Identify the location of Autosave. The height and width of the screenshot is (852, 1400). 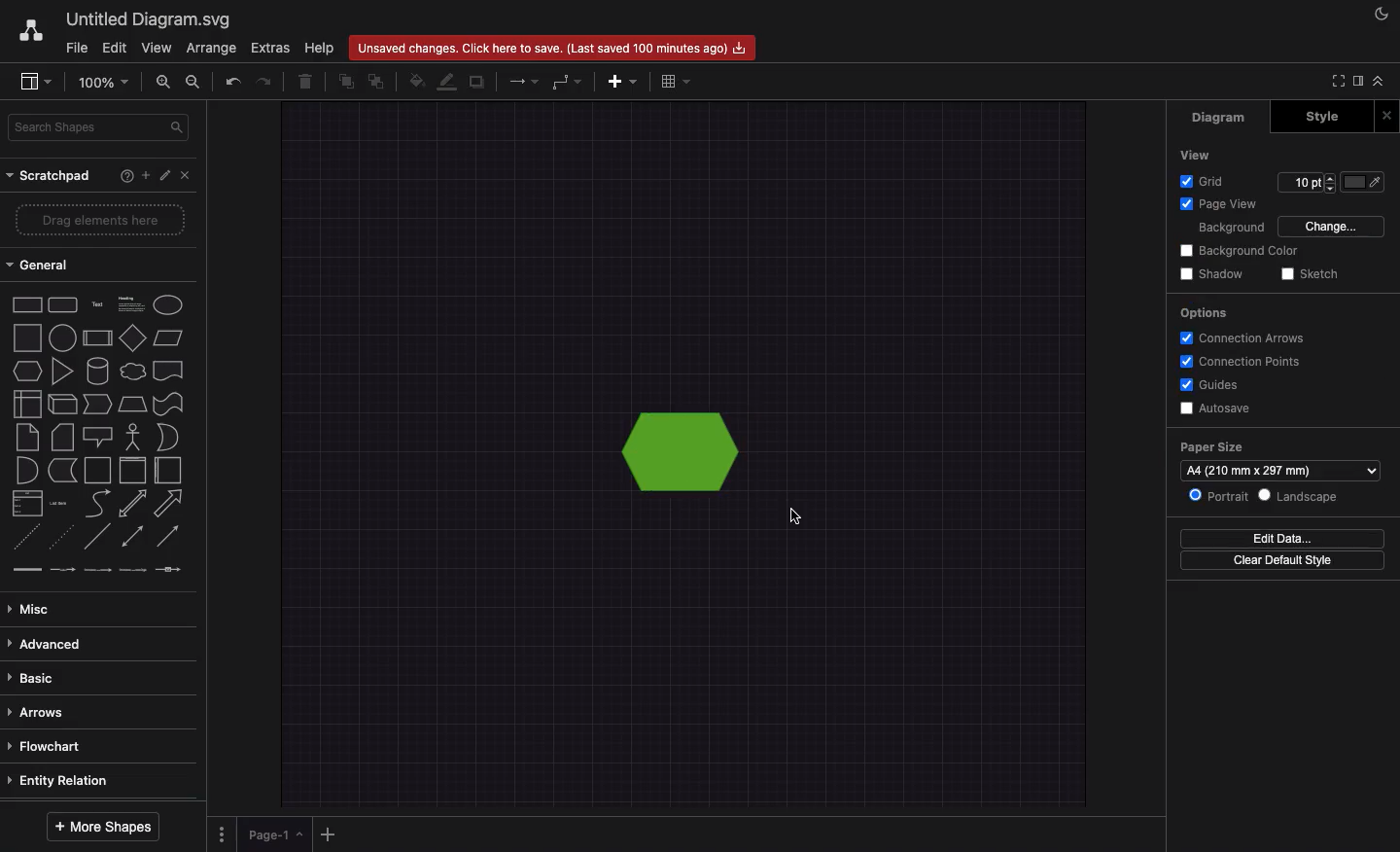
(1218, 407).